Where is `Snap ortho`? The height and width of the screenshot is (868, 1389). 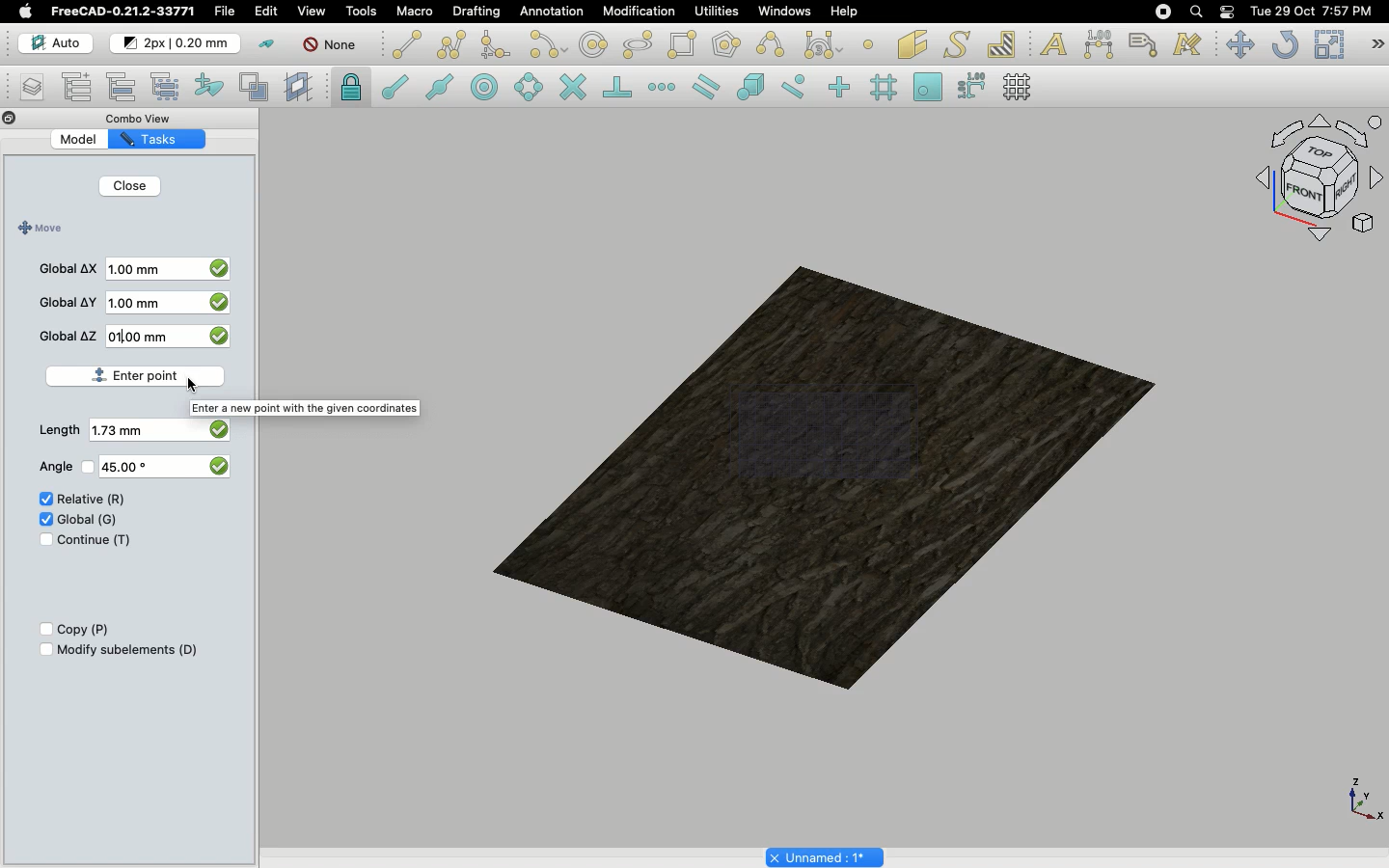
Snap ortho is located at coordinates (842, 89).